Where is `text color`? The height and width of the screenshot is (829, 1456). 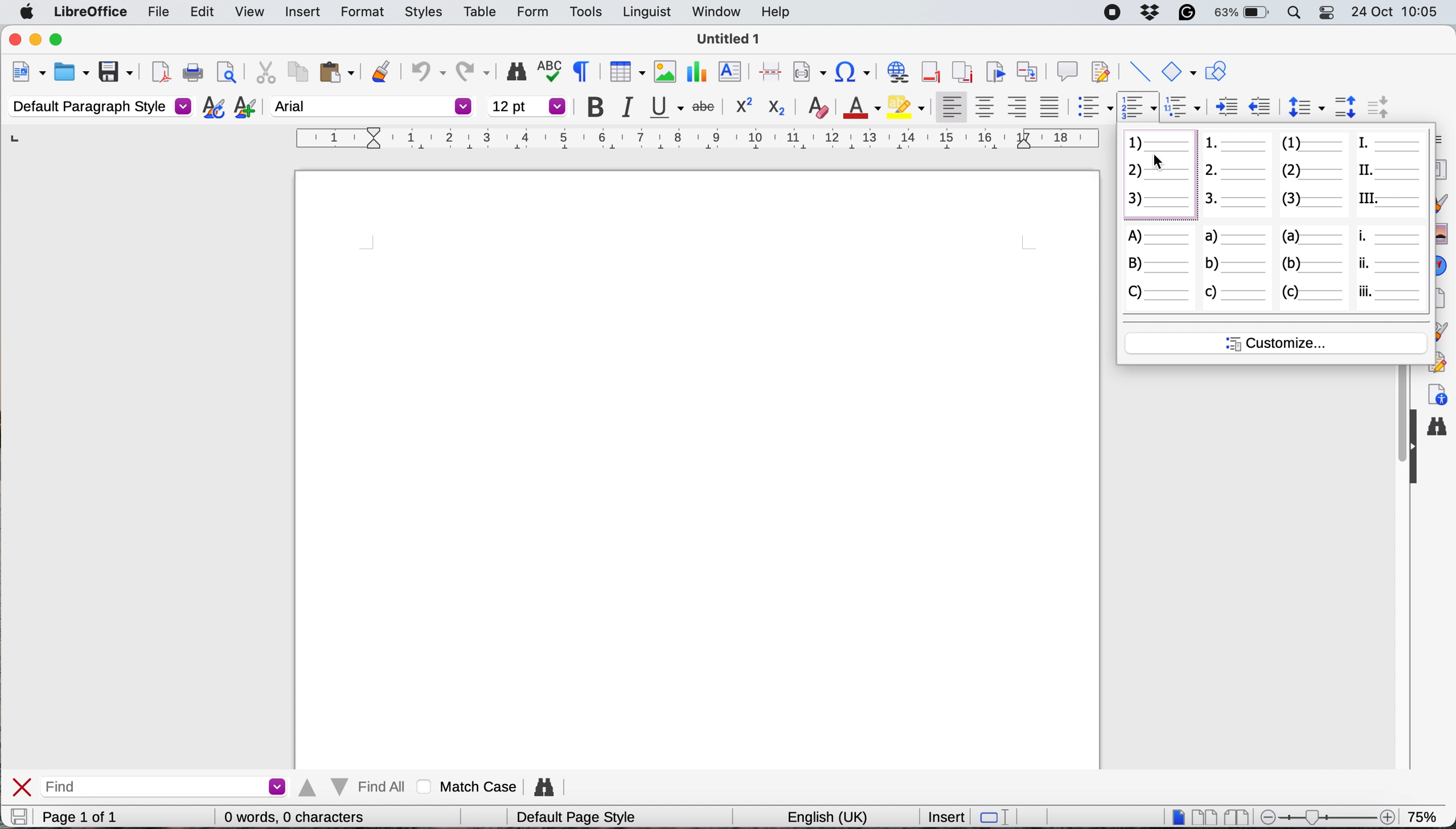
text color is located at coordinates (859, 106).